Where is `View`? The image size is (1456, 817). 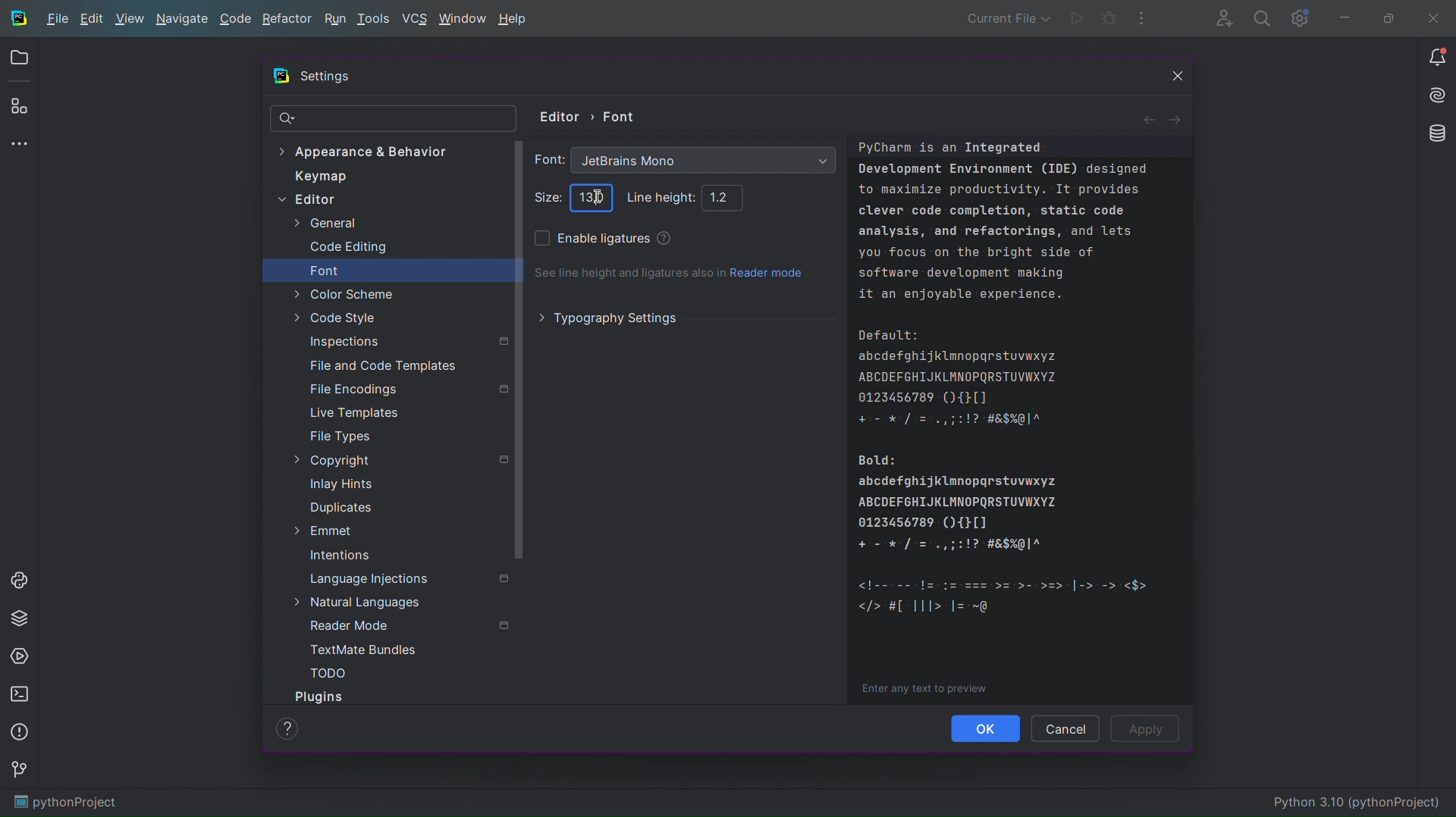
View is located at coordinates (129, 21).